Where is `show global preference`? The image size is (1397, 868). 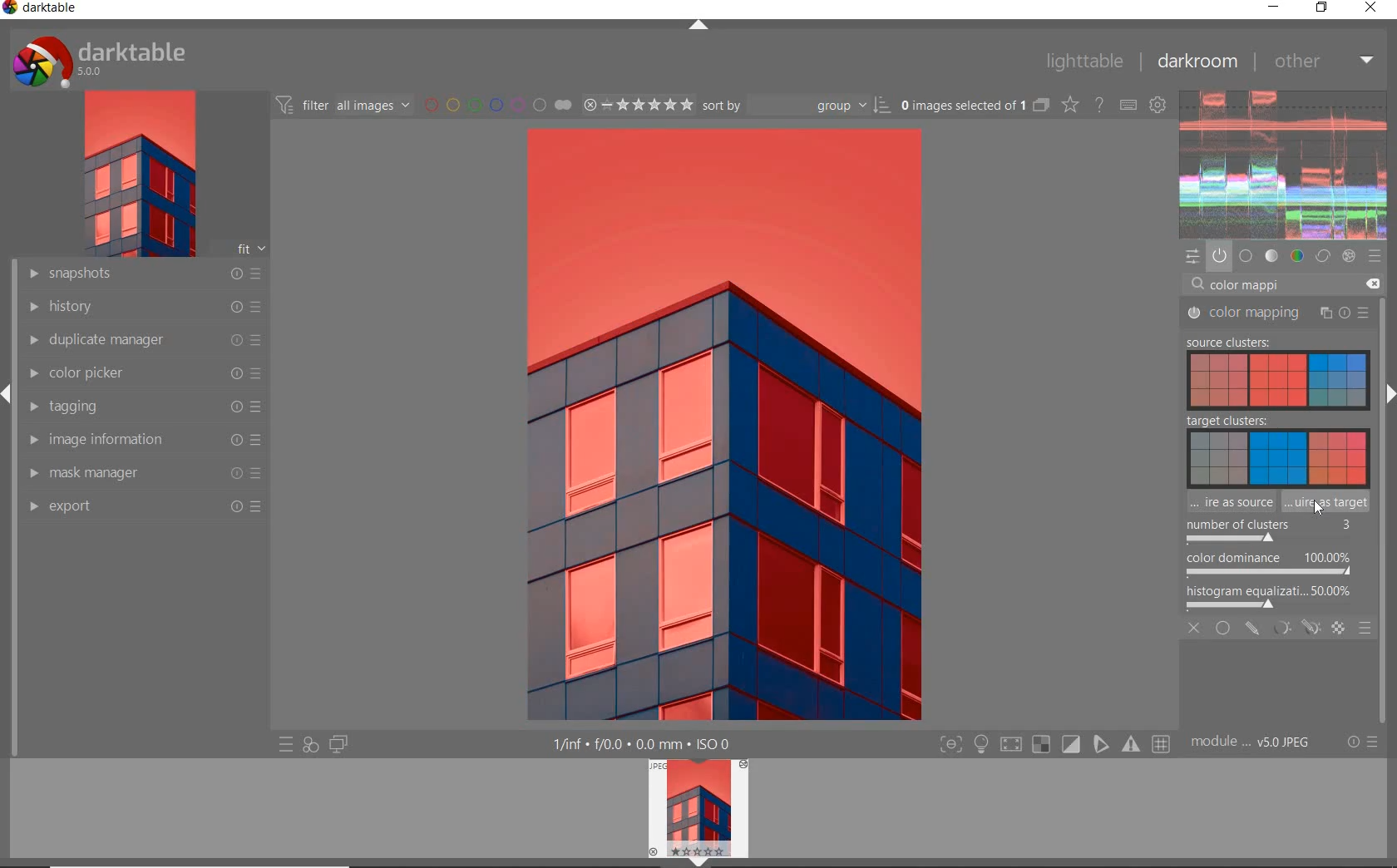
show global preference is located at coordinates (1158, 106).